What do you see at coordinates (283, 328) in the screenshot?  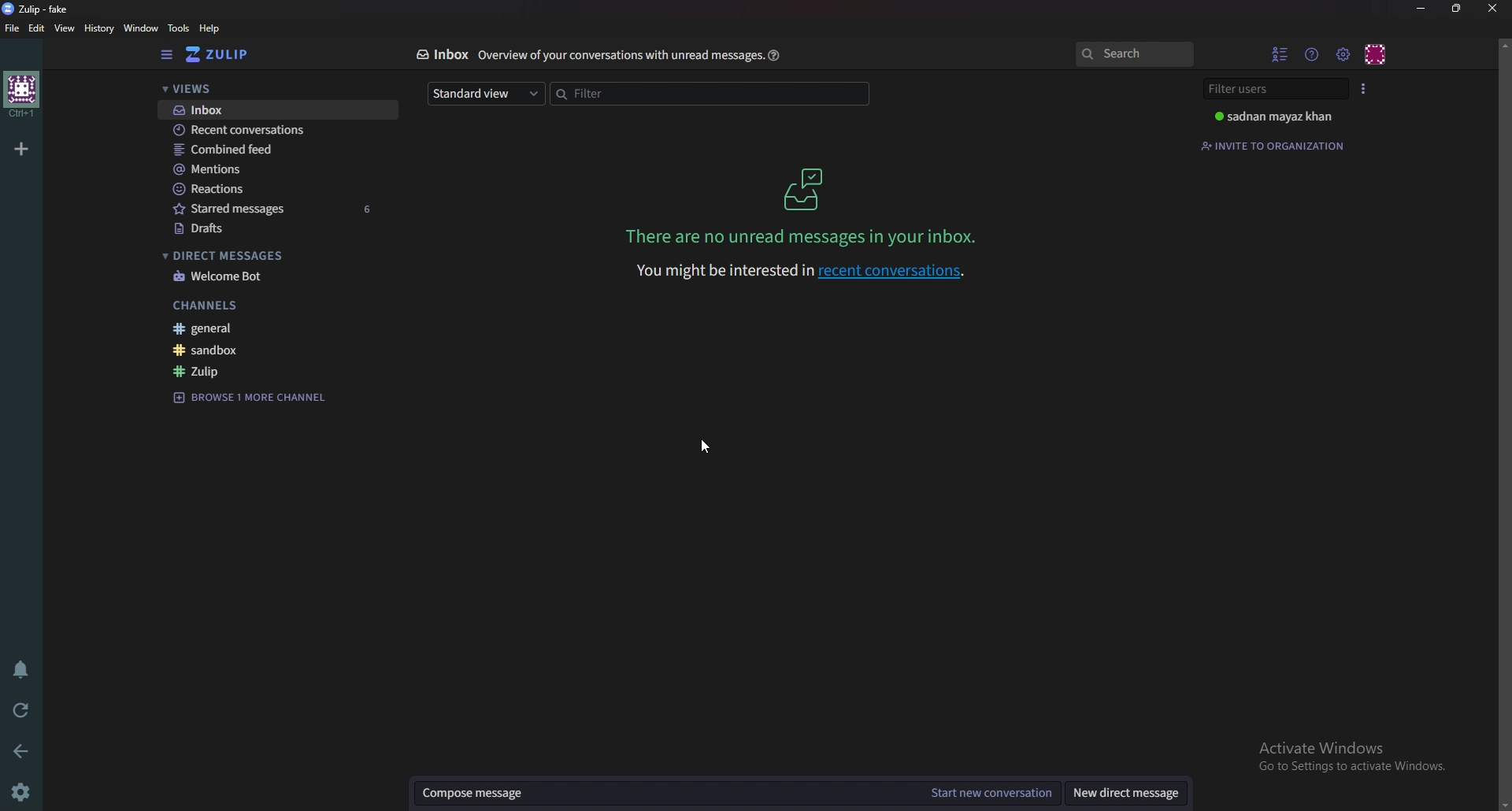 I see `General` at bounding box center [283, 328].